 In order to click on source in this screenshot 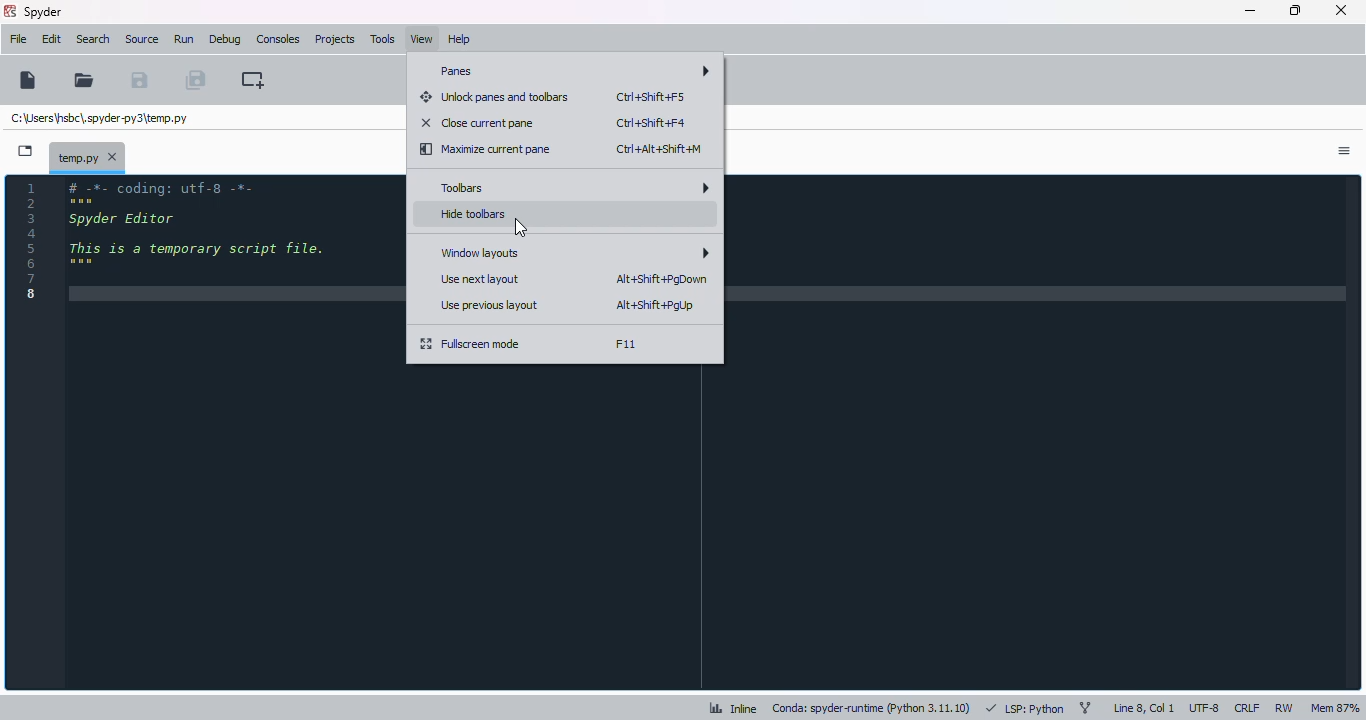, I will do `click(141, 39)`.